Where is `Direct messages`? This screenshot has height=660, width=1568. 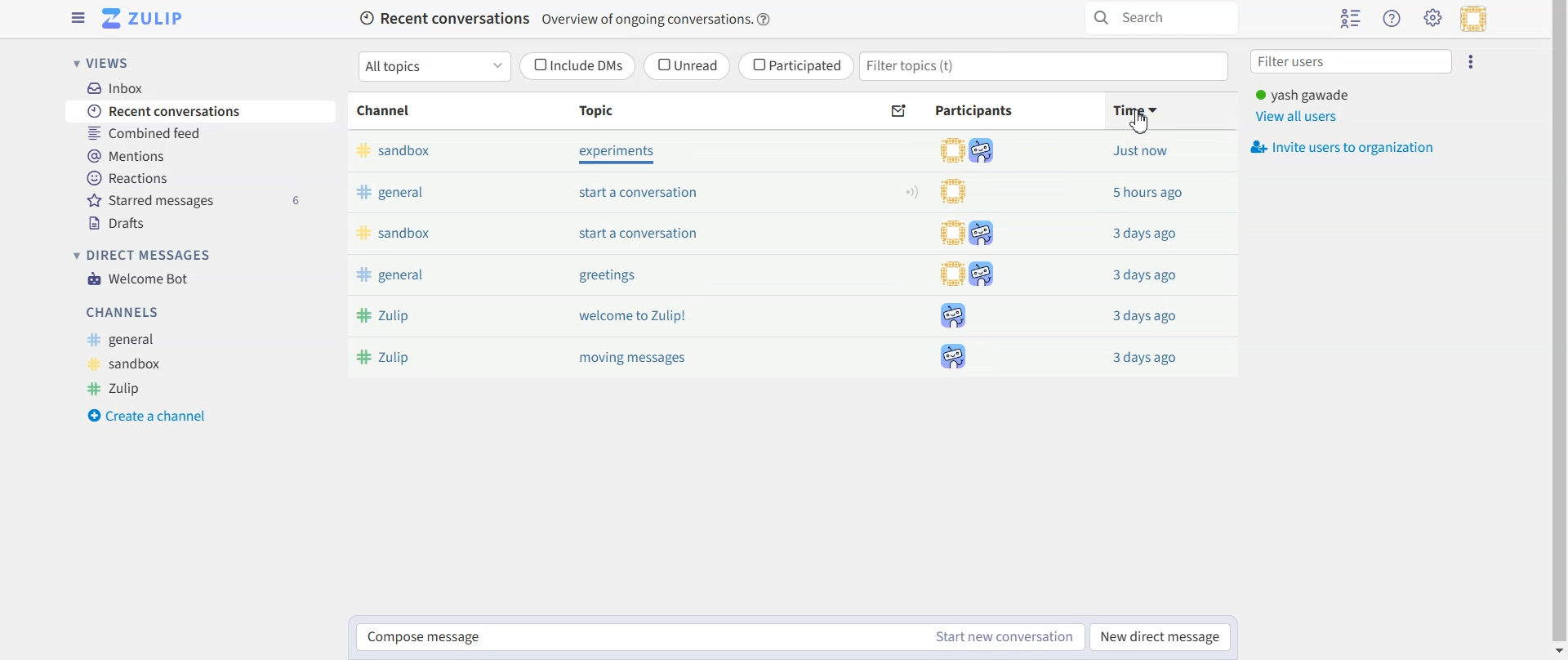 Direct messages is located at coordinates (140, 256).